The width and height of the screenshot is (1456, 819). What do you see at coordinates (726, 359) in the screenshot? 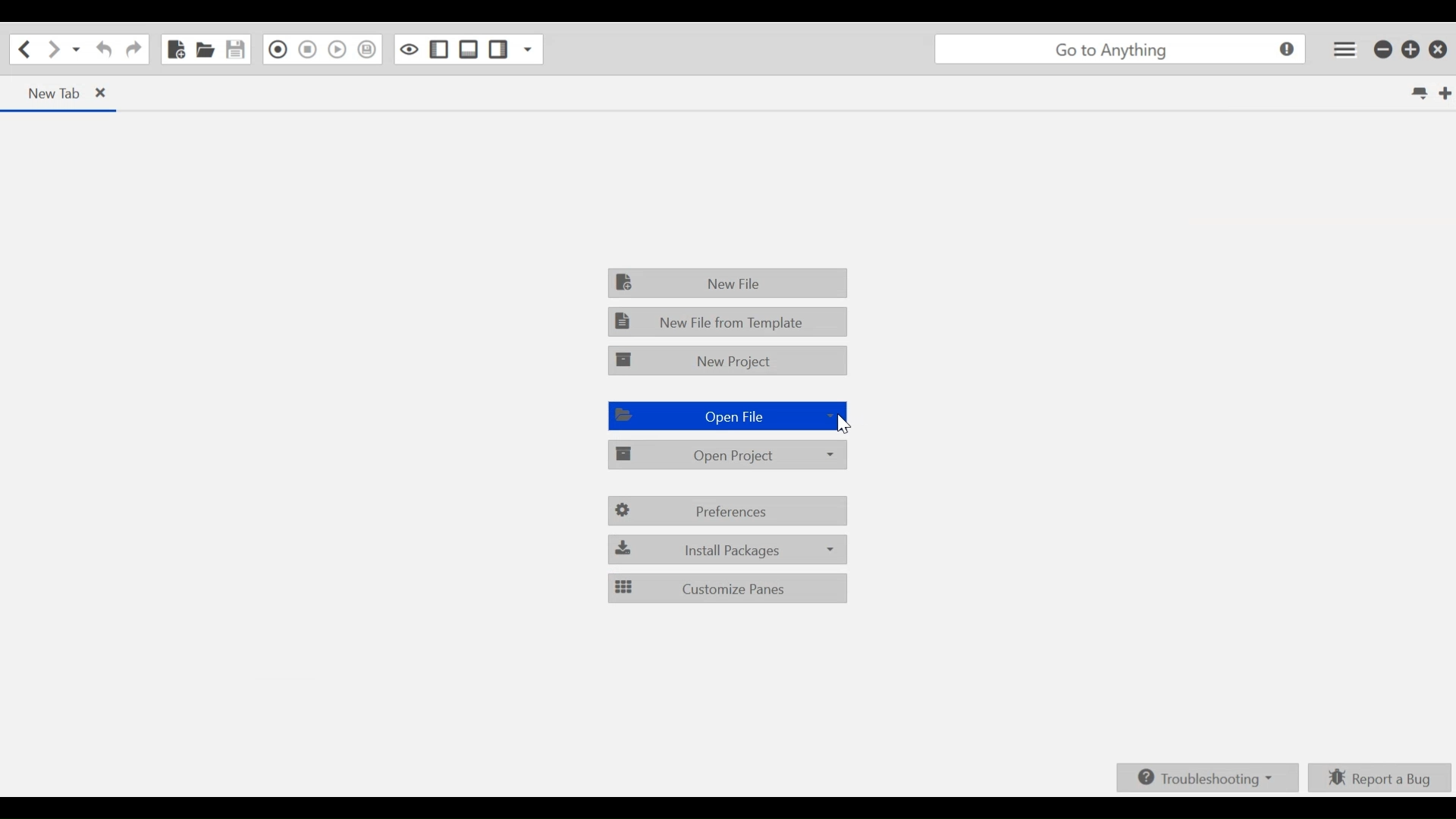
I see `New Project` at bounding box center [726, 359].